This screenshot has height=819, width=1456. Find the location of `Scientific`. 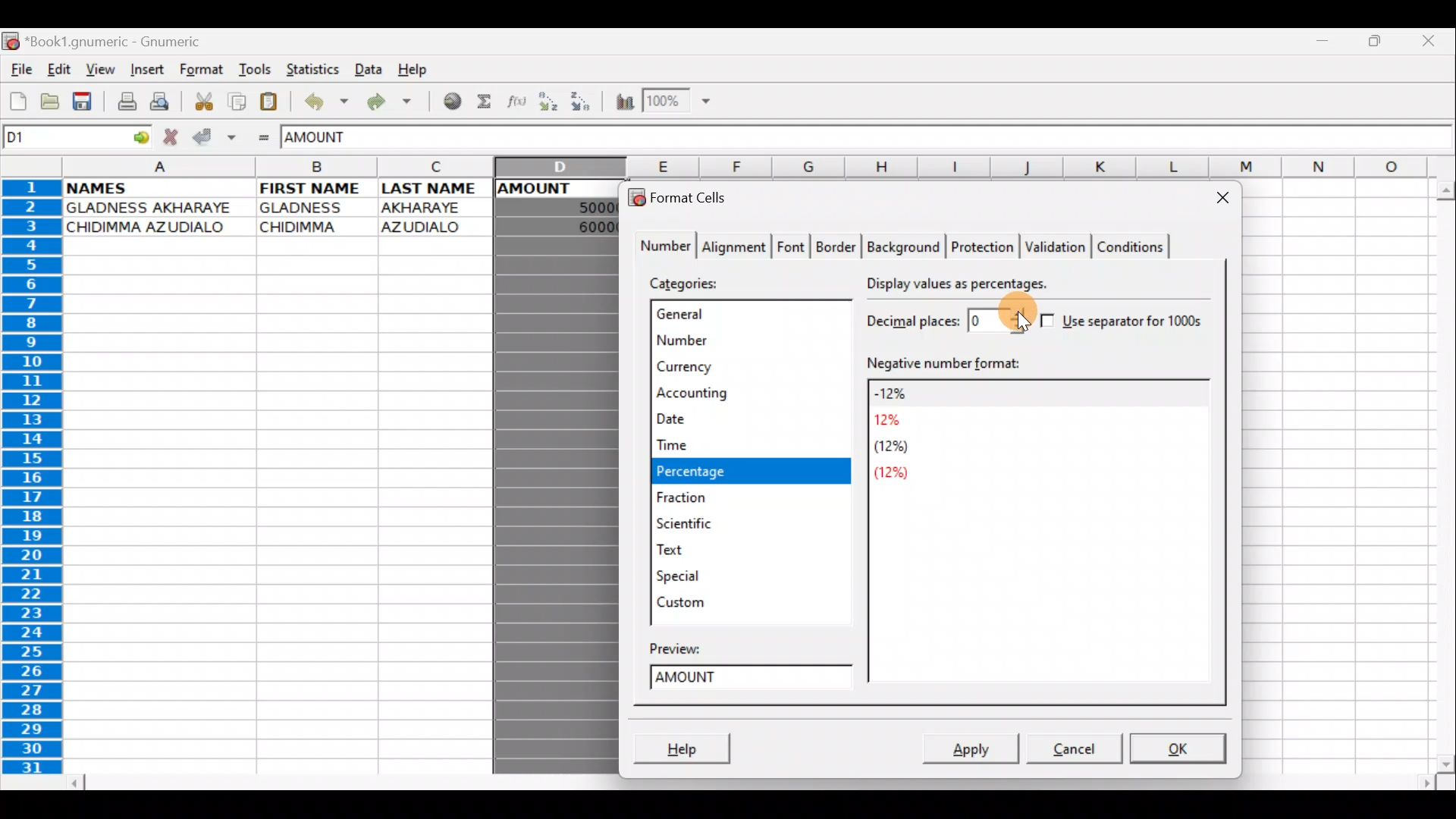

Scientific is located at coordinates (705, 525).